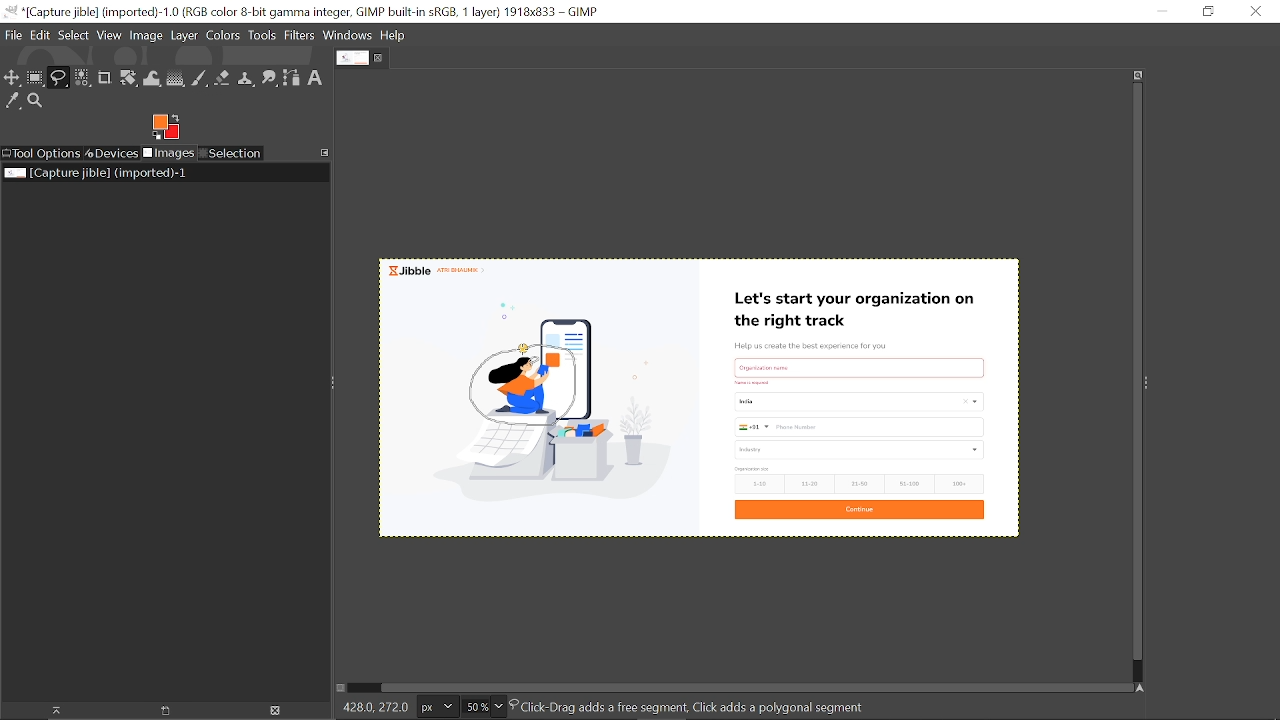  What do you see at coordinates (474, 706) in the screenshot?
I see `Current zoom` at bounding box center [474, 706].